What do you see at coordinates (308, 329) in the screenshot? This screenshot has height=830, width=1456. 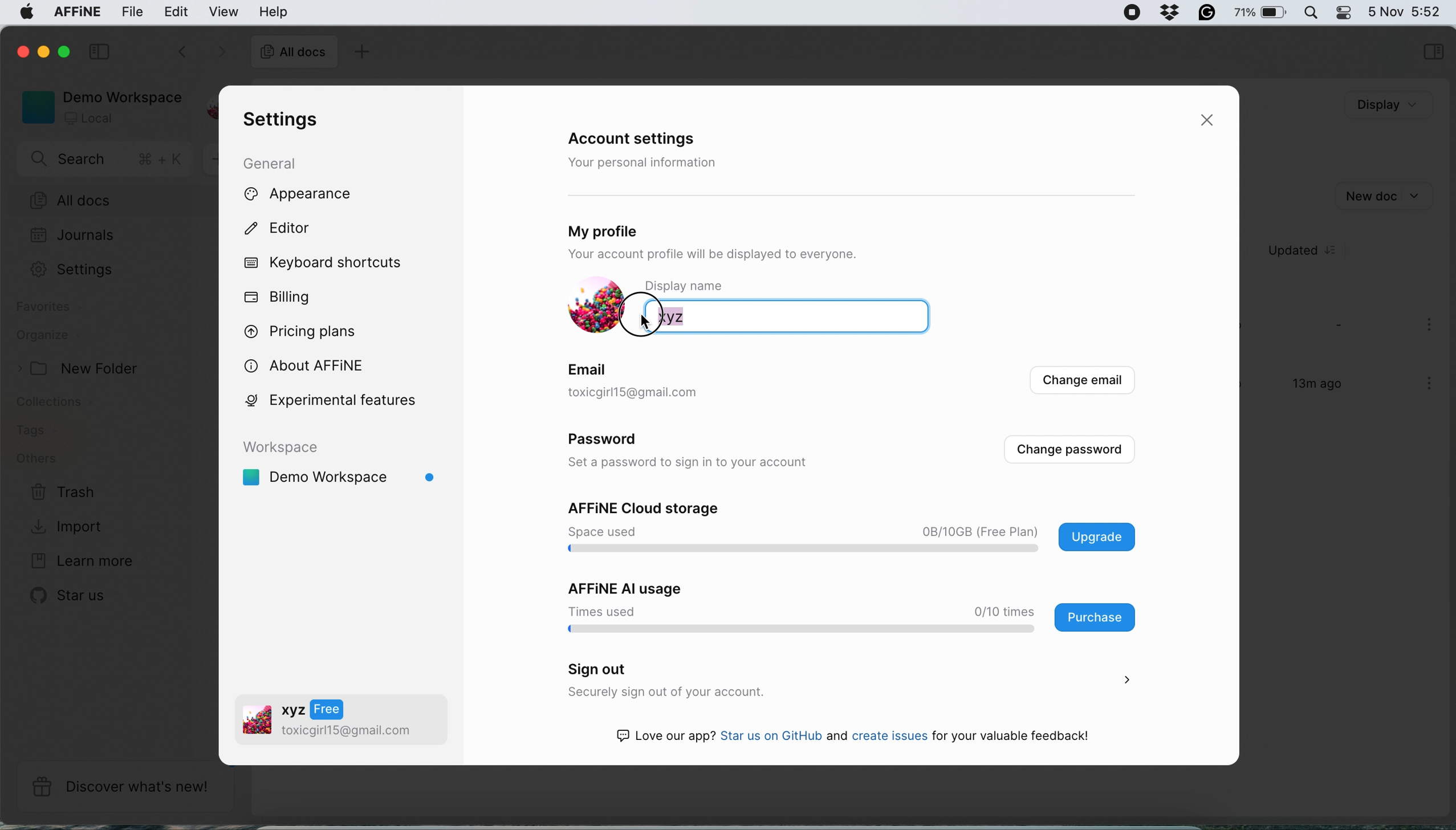 I see `pricing plans` at bounding box center [308, 329].